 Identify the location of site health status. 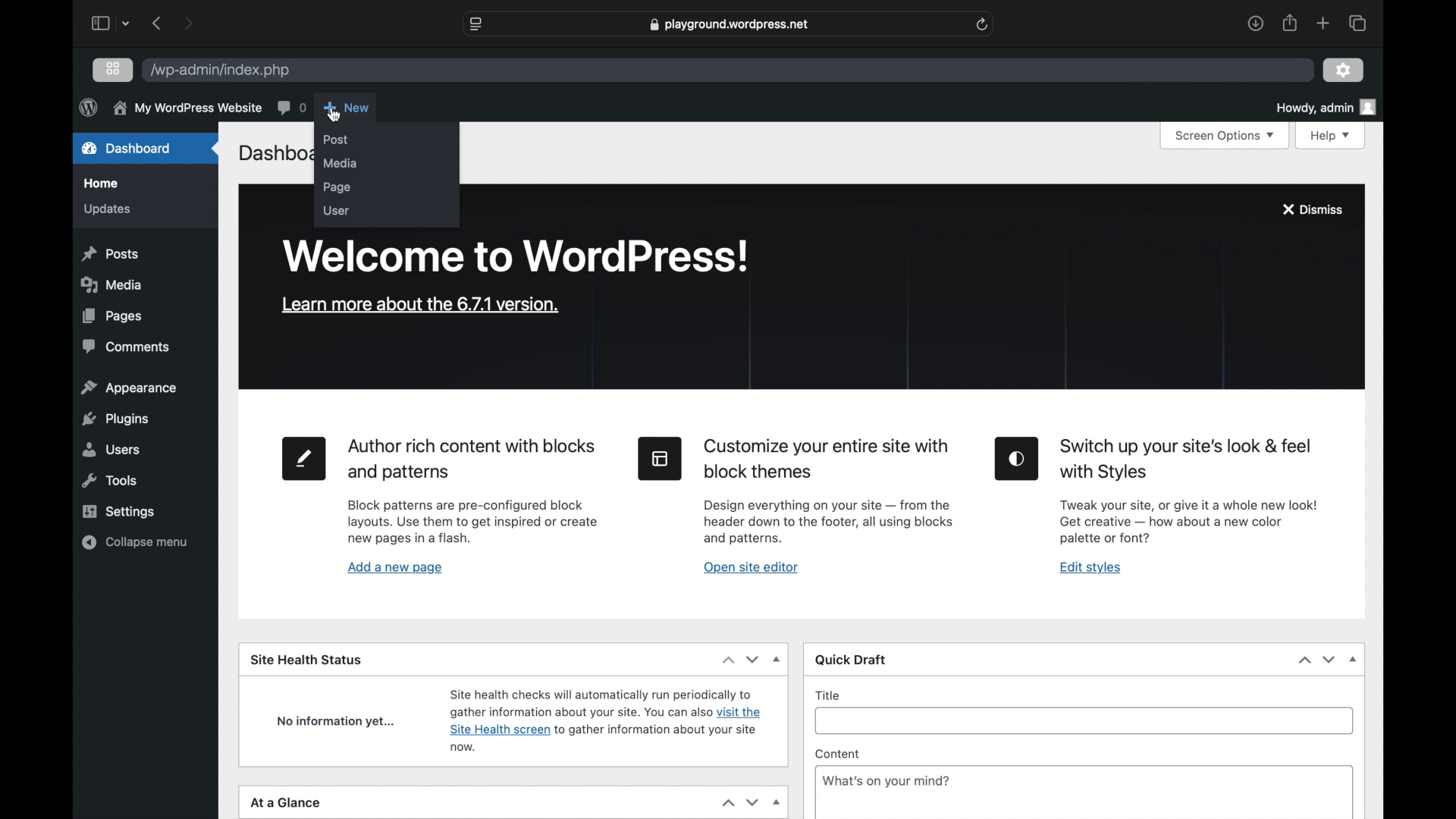
(307, 660).